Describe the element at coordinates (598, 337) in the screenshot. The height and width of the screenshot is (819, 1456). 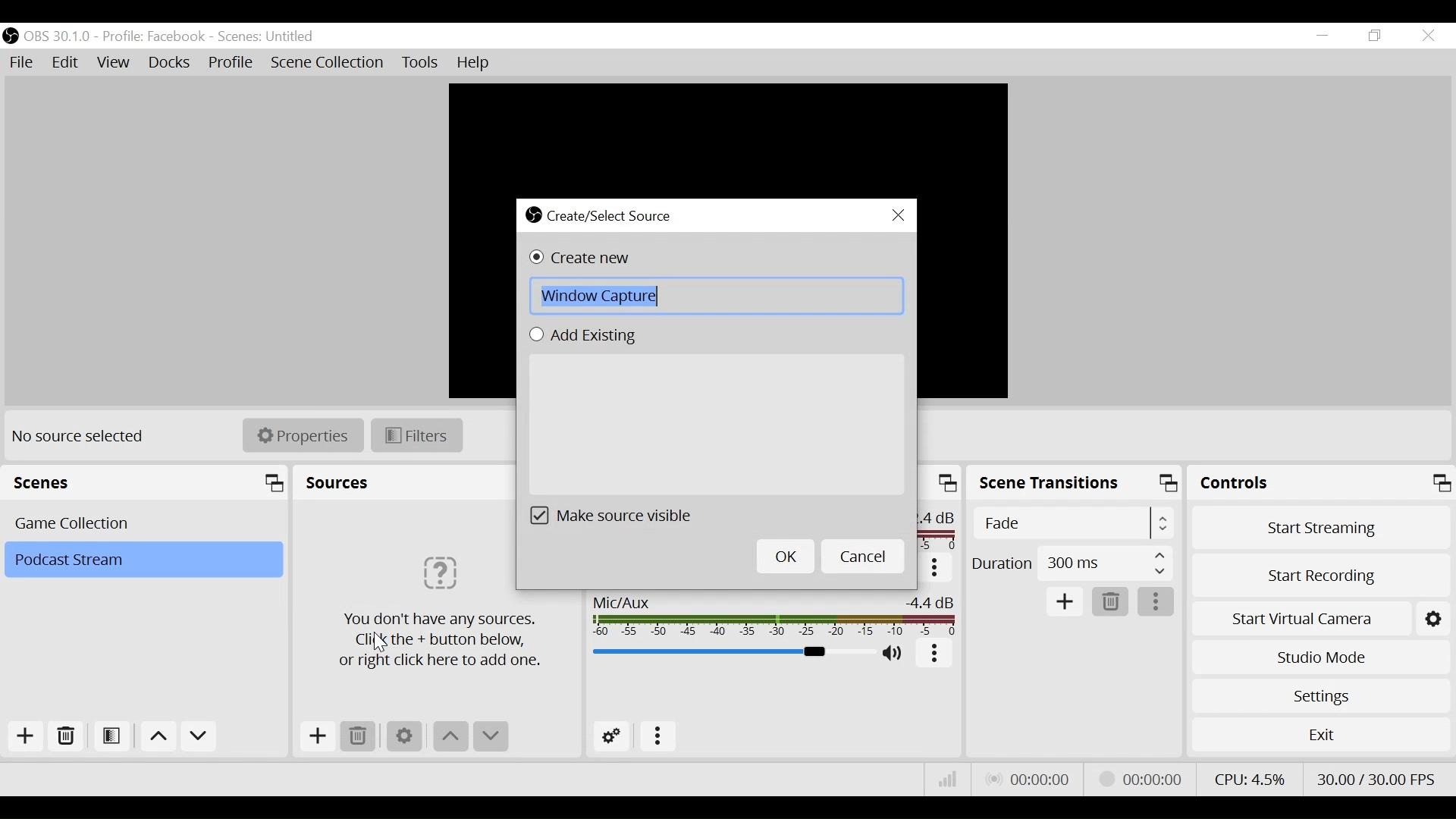
I see `(un)select Add Existing` at that location.